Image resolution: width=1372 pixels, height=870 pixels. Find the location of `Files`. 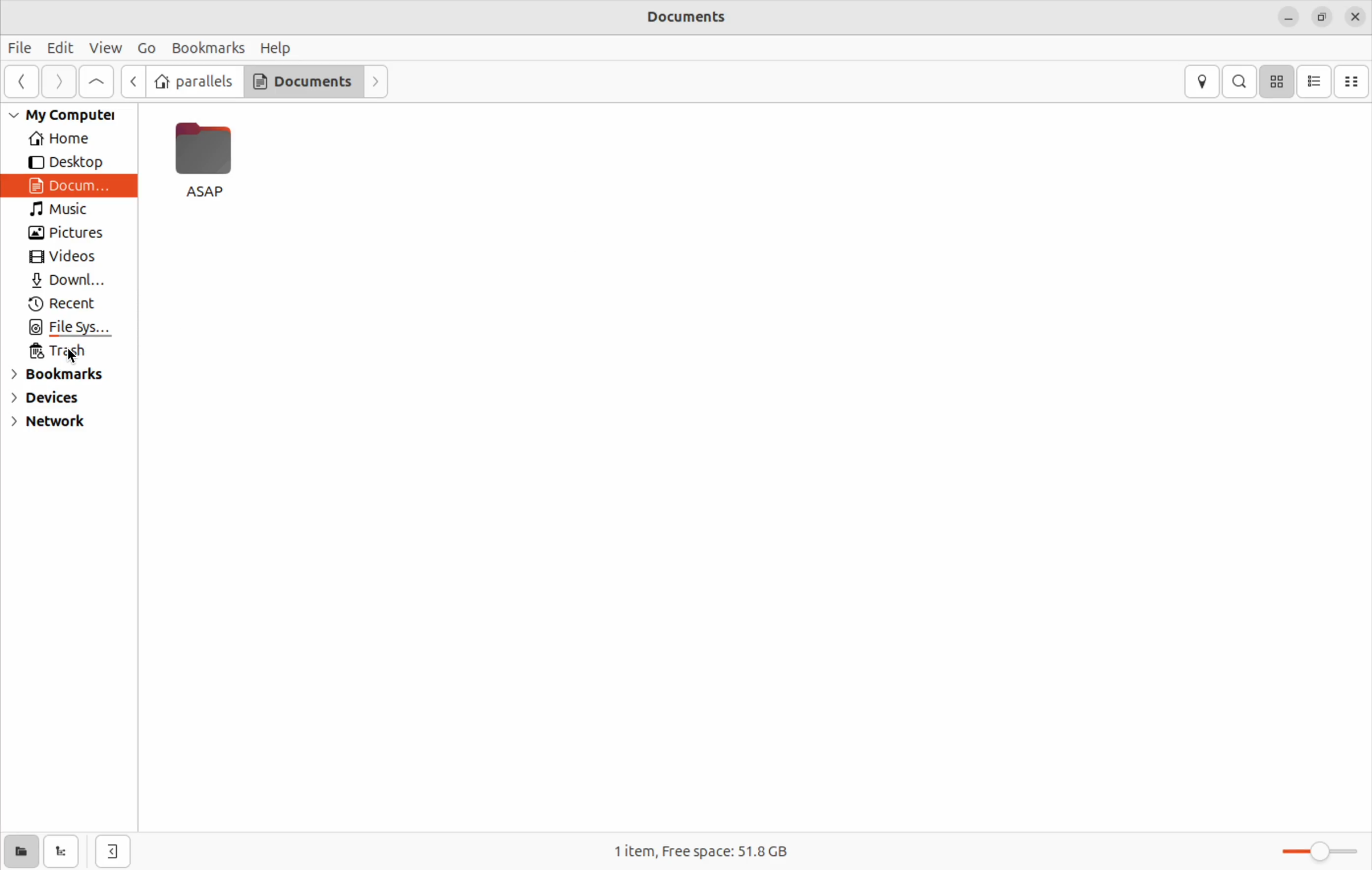

Files is located at coordinates (23, 46).